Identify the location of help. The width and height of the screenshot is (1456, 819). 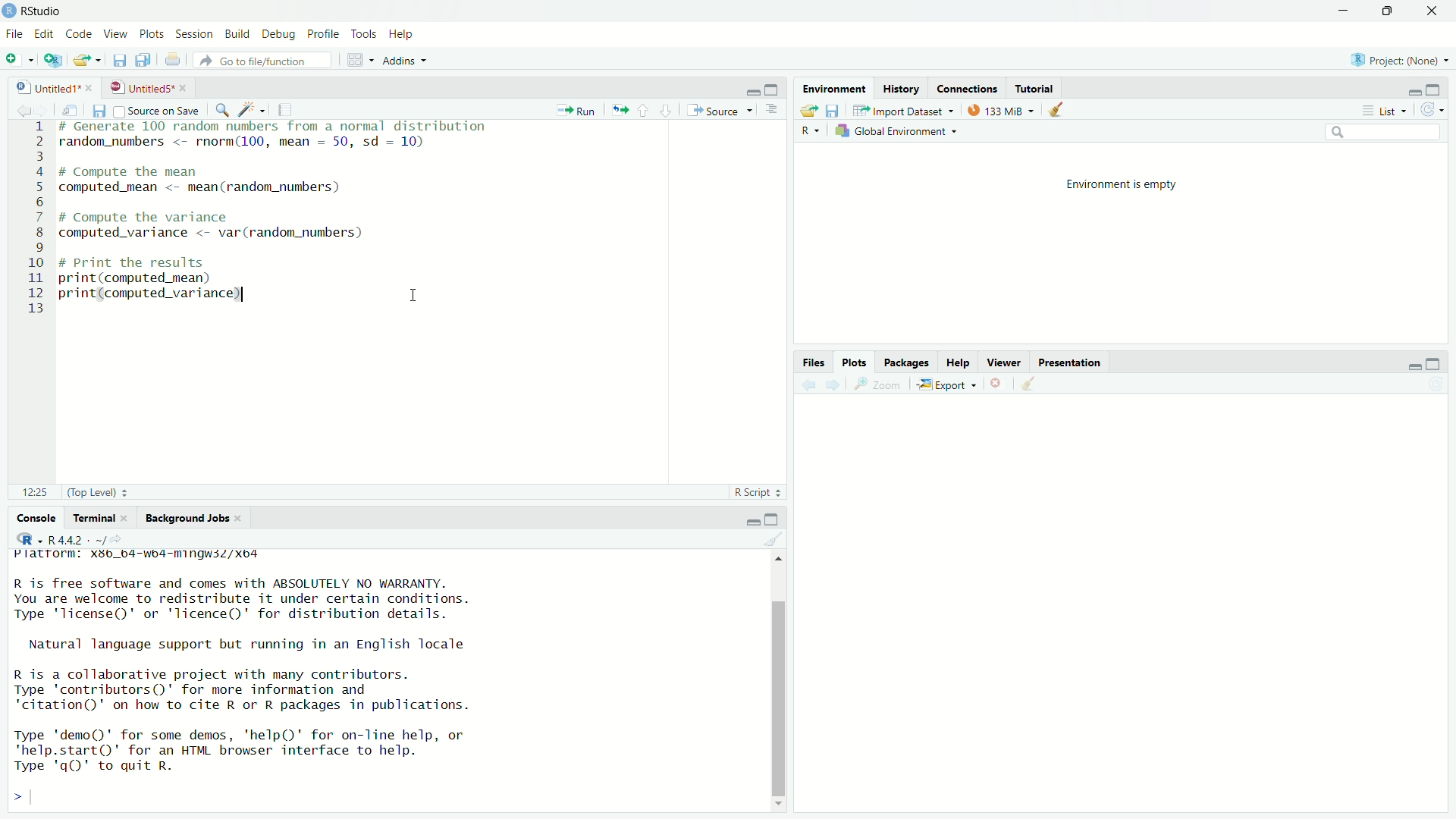
(400, 33).